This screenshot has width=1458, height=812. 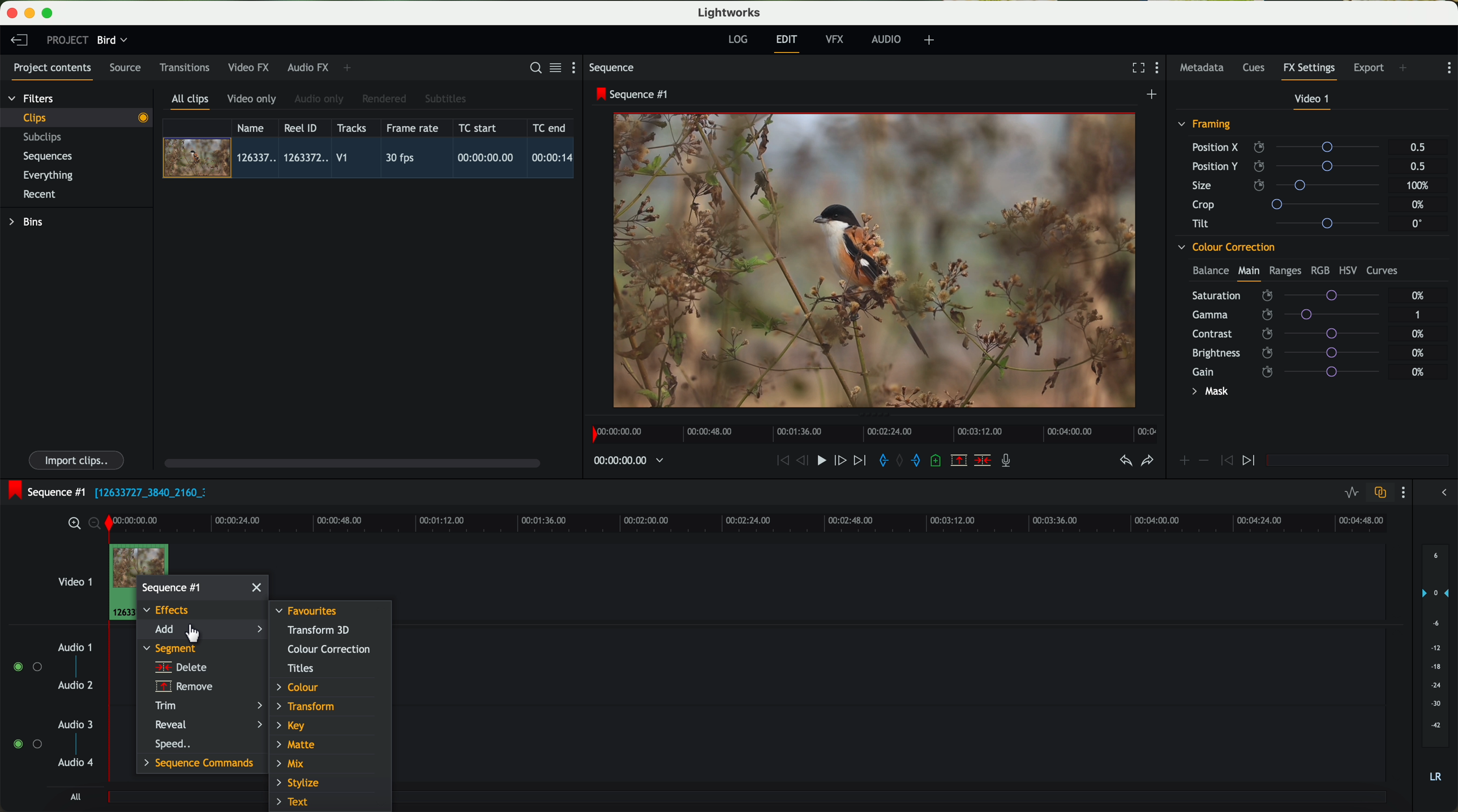 I want to click on framing, so click(x=1205, y=126).